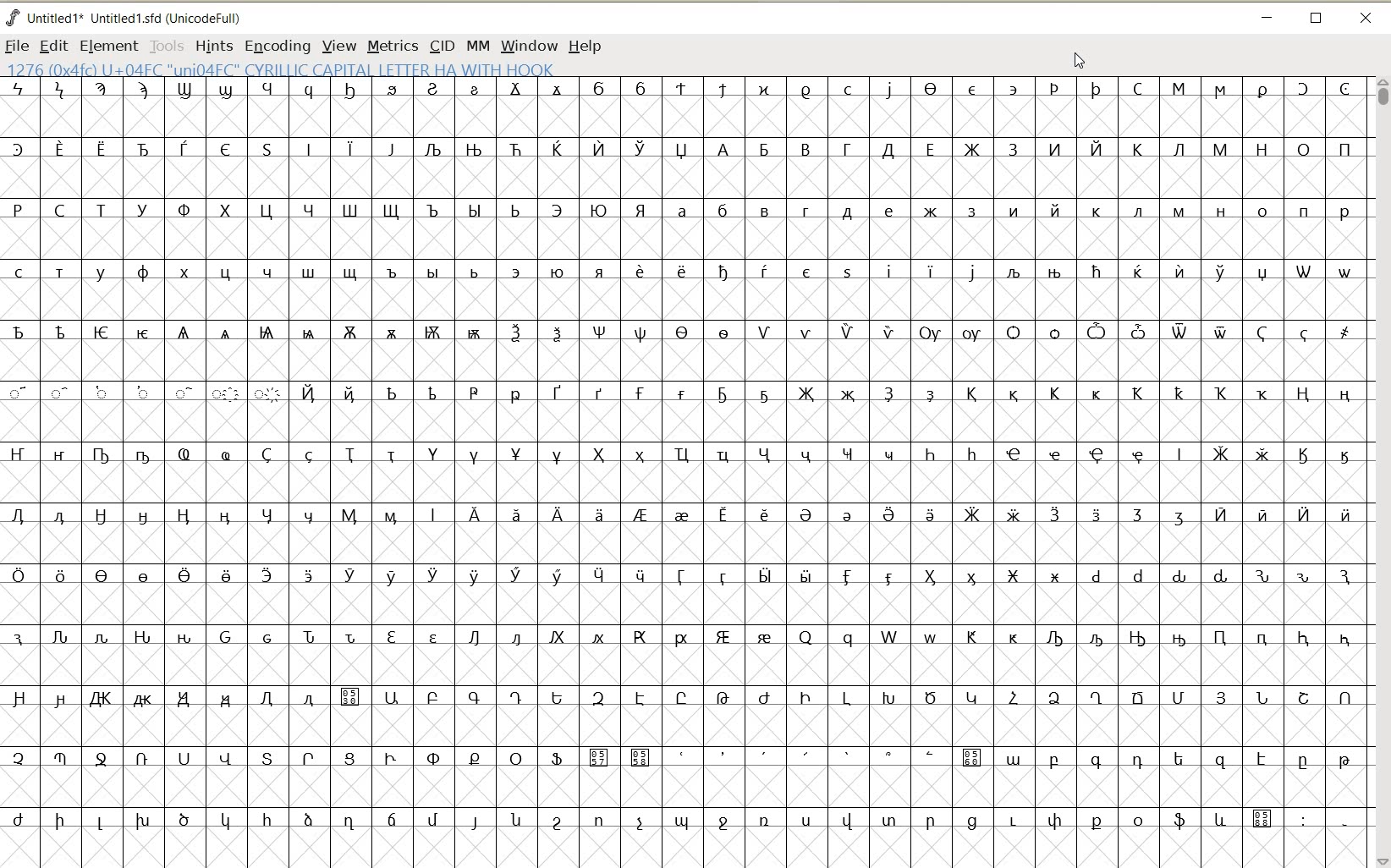 The width and height of the screenshot is (1391, 868). I want to click on HELP, so click(587, 45).